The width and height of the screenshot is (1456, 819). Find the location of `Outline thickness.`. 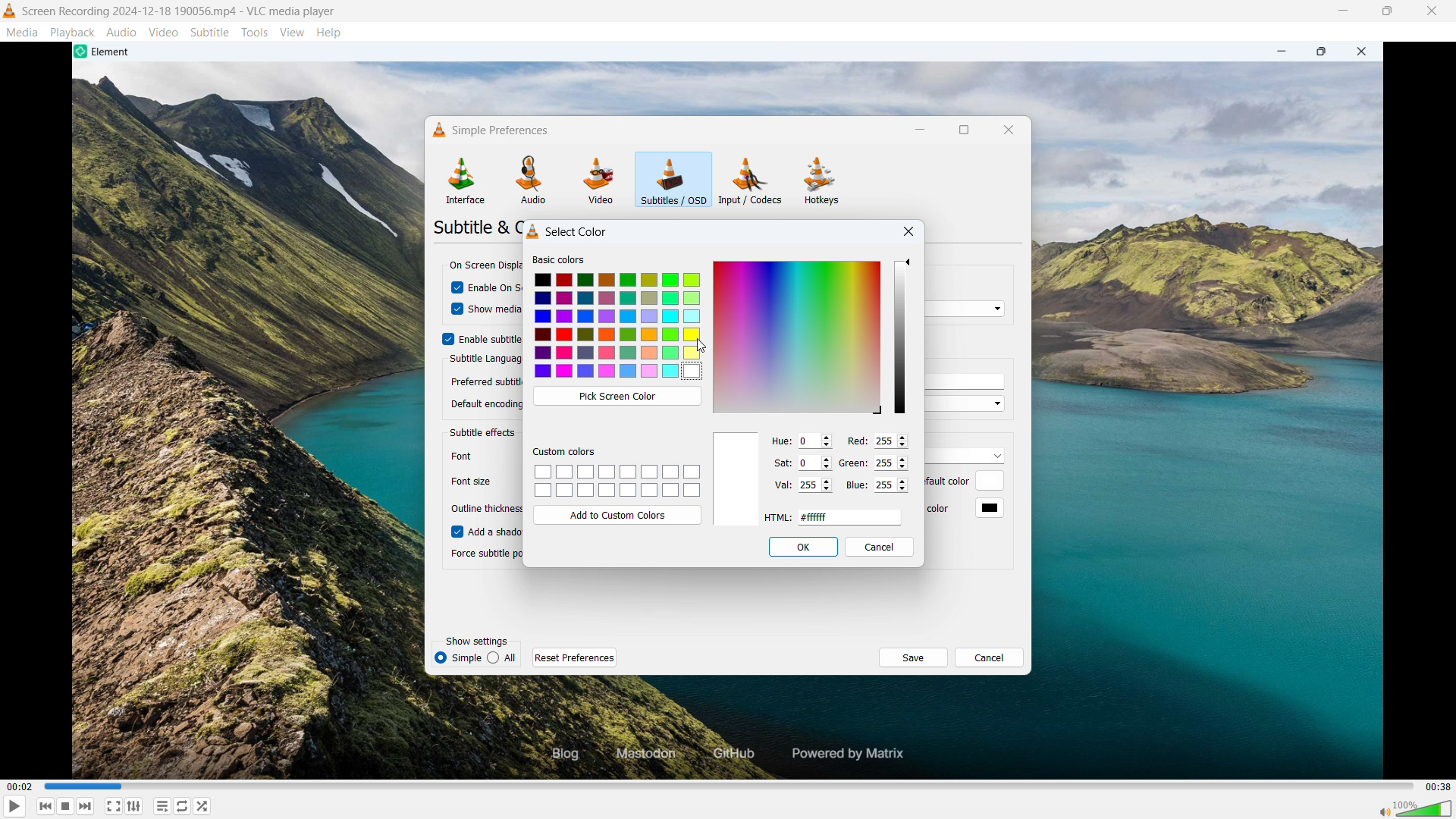

Outline thickness. is located at coordinates (485, 509).